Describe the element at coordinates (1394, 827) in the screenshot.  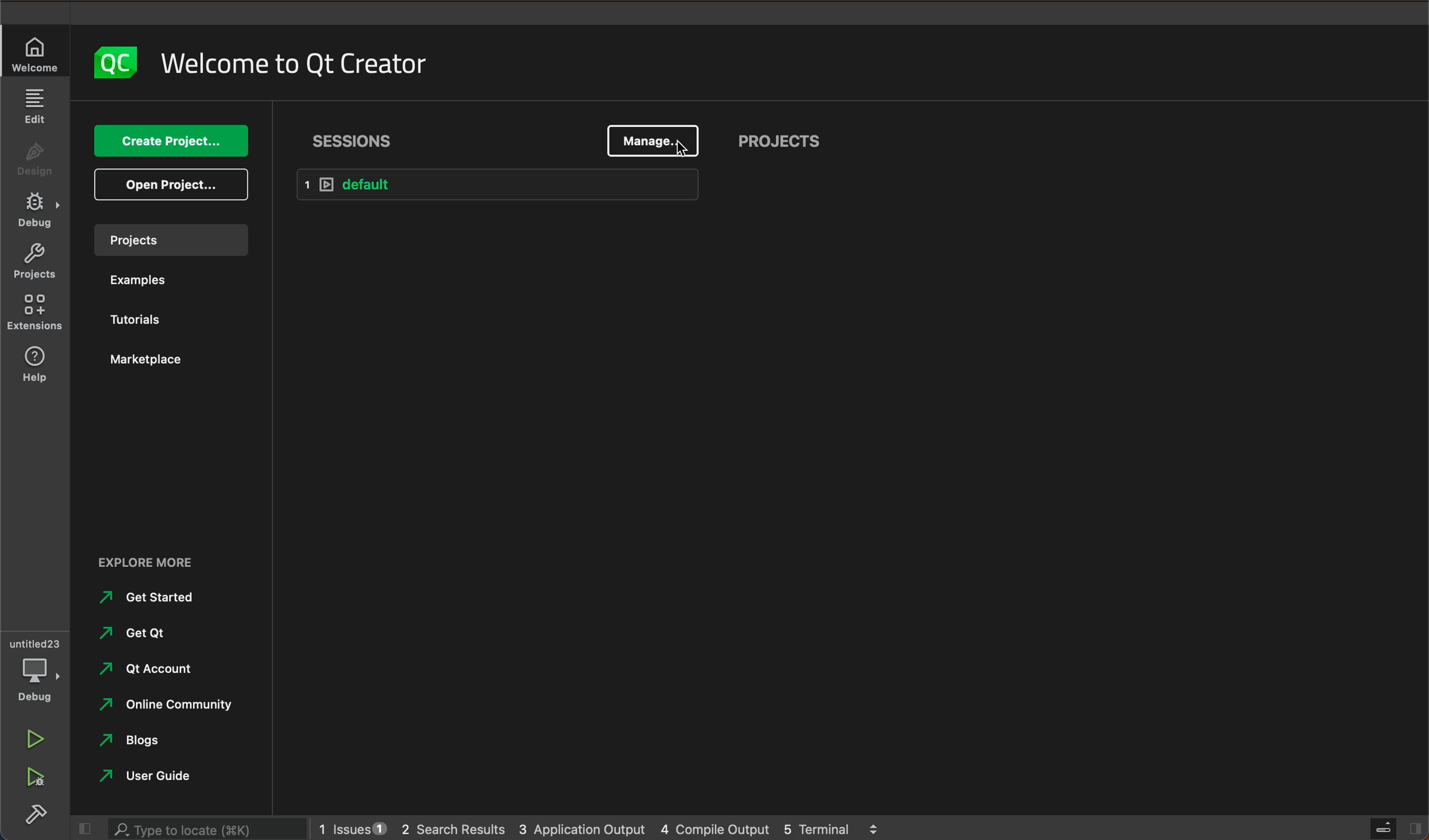
I see `close slidebar` at that location.